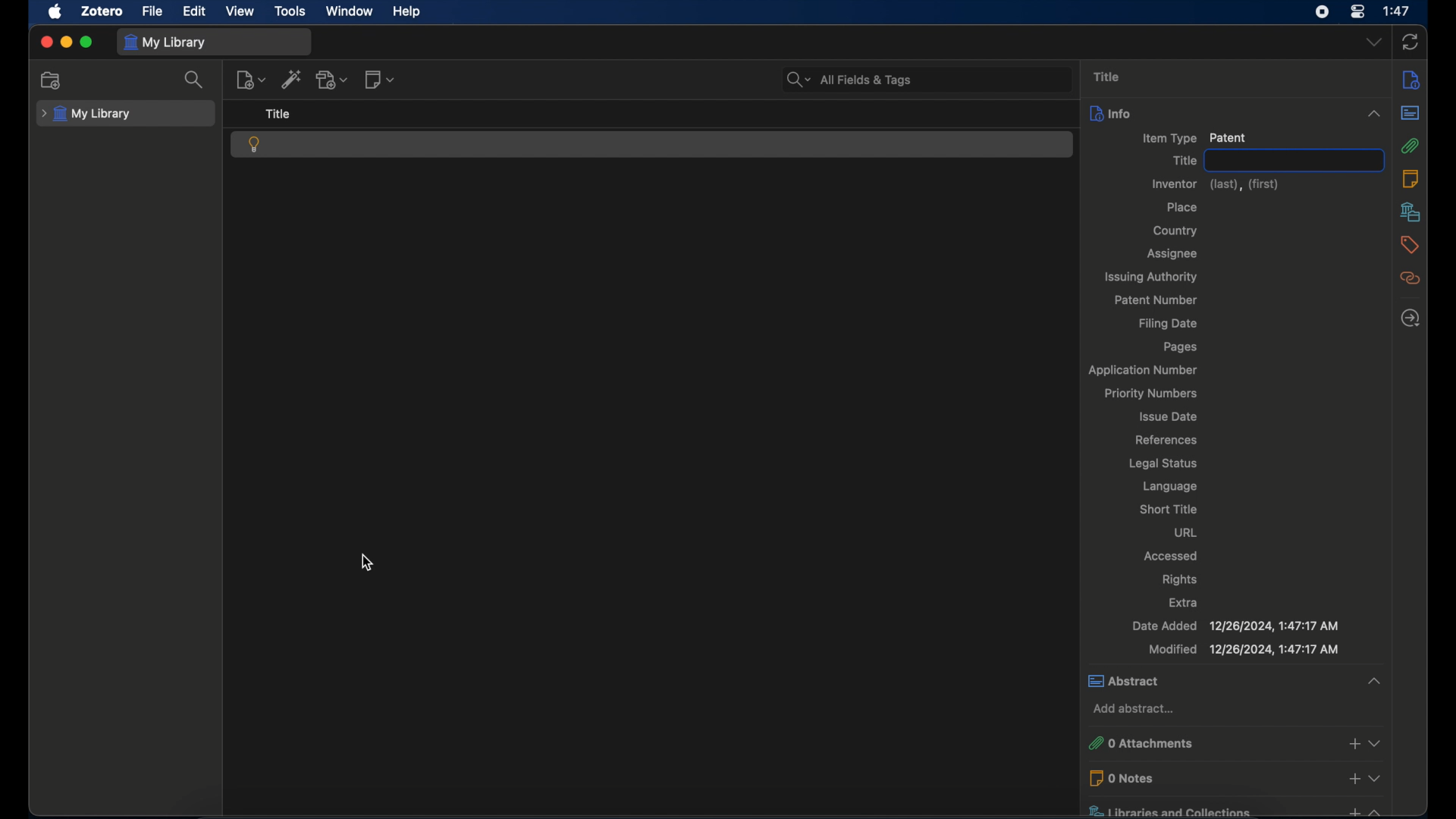  I want to click on zotero, so click(101, 11).